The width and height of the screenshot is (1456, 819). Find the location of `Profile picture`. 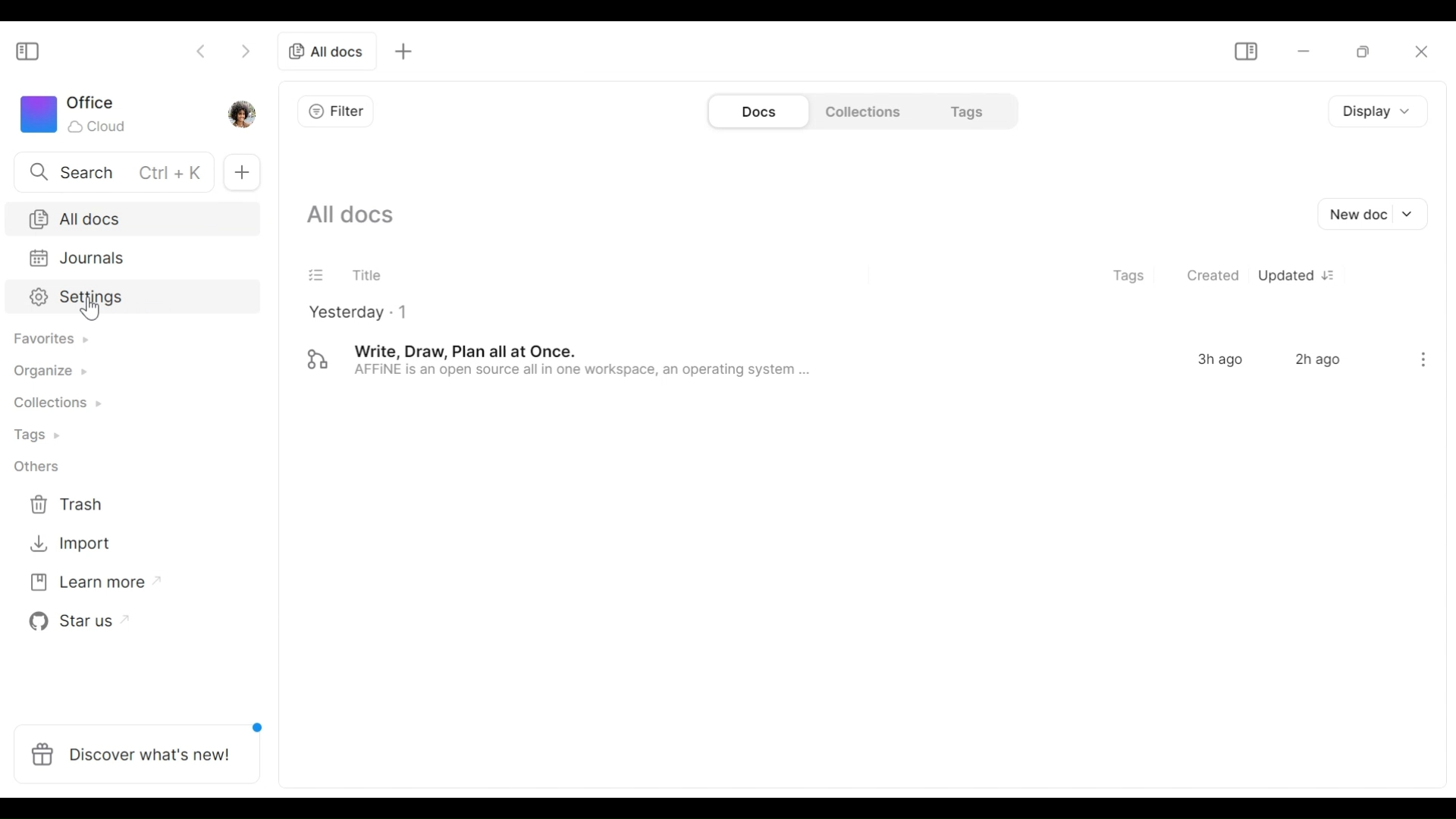

Profile picture is located at coordinates (243, 117).